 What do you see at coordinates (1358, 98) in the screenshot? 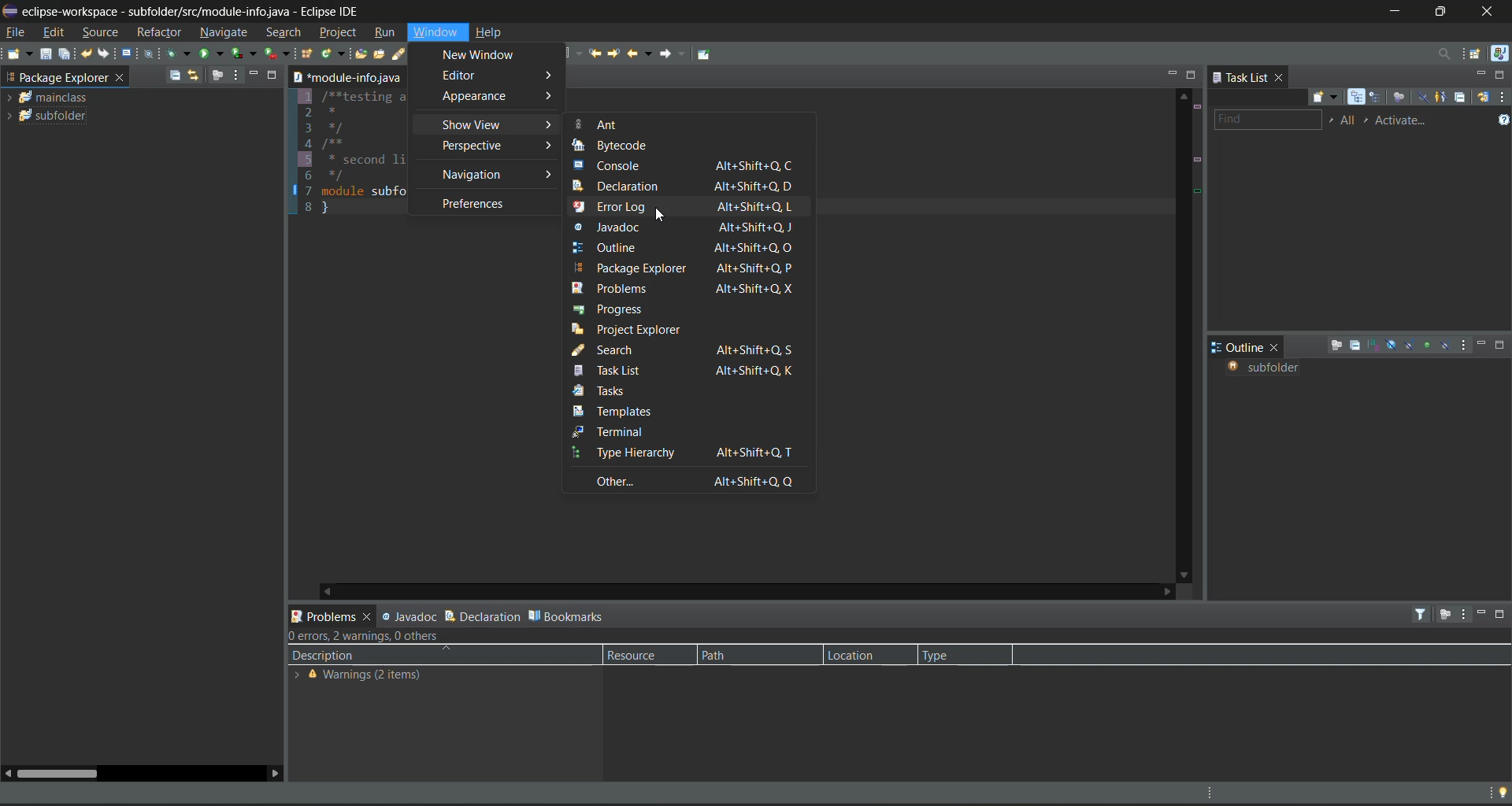
I see `categorized` at bounding box center [1358, 98].